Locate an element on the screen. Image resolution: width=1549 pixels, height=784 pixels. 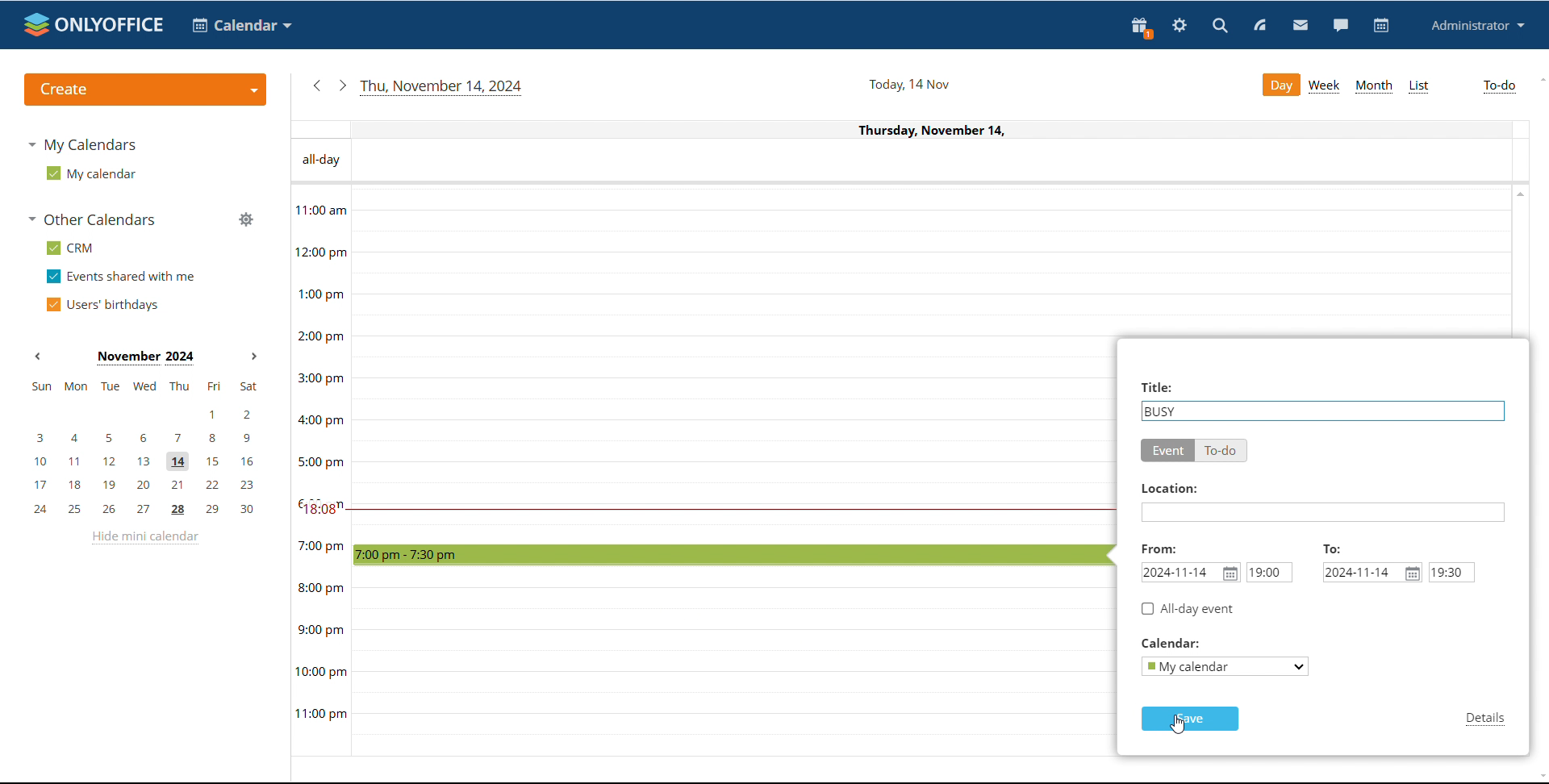
start date is located at coordinates (1190, 573).